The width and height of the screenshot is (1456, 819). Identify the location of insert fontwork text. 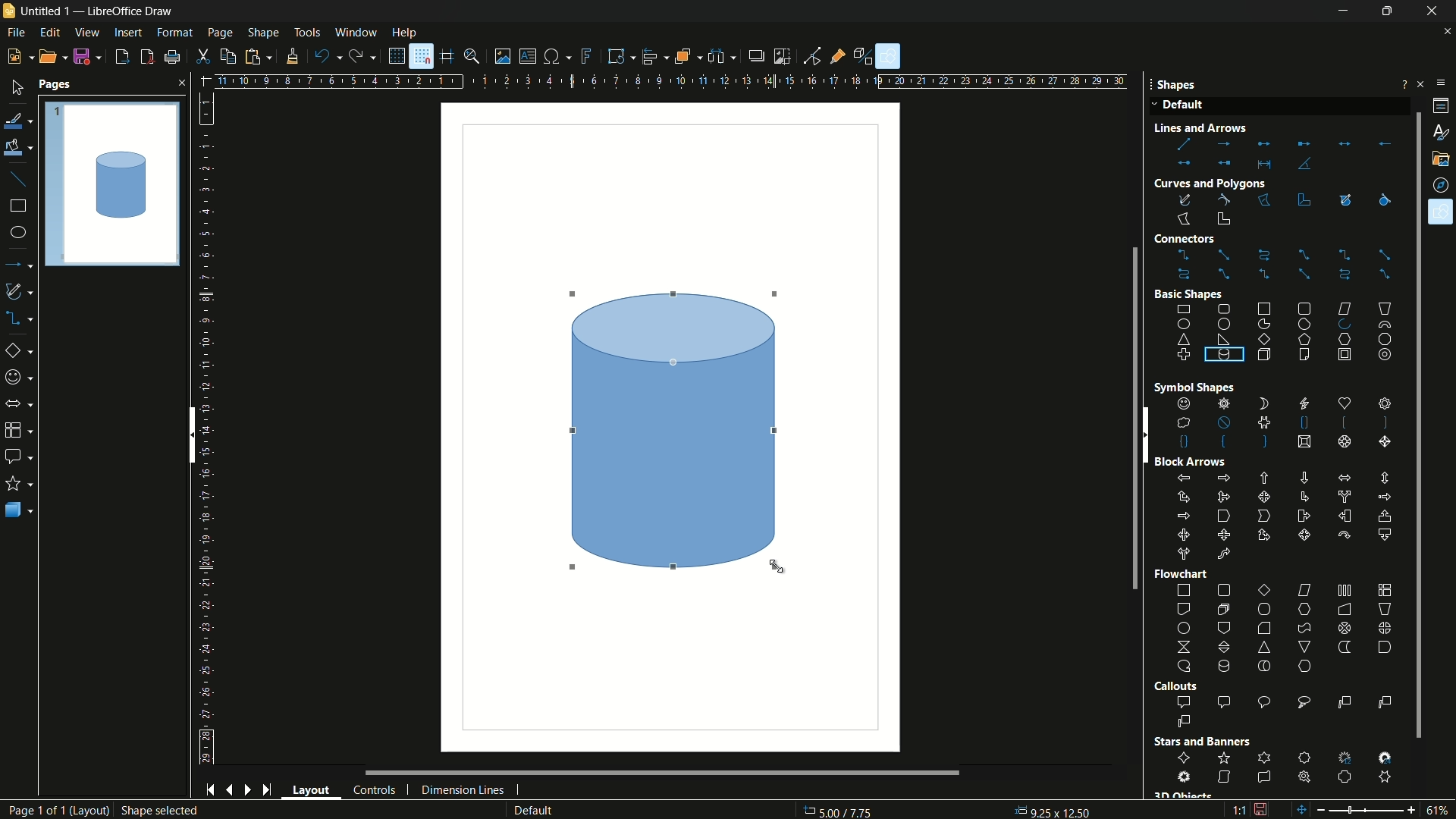
(588, 56).